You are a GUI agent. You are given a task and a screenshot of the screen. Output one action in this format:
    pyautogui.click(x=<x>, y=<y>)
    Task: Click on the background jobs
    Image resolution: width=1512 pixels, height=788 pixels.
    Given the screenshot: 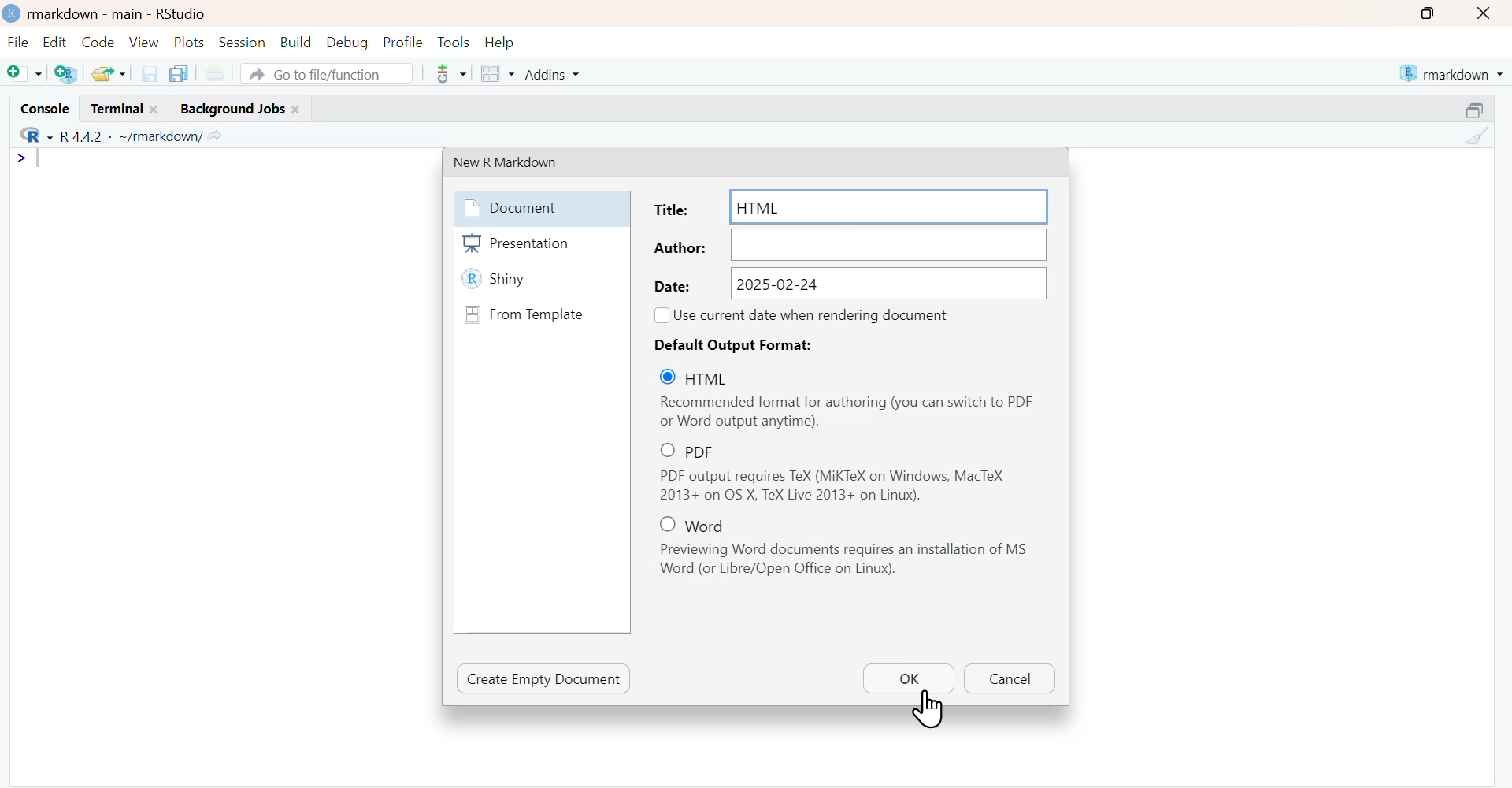 What is the action you would take?
    pyautogui.click(x=236, y=110)
    